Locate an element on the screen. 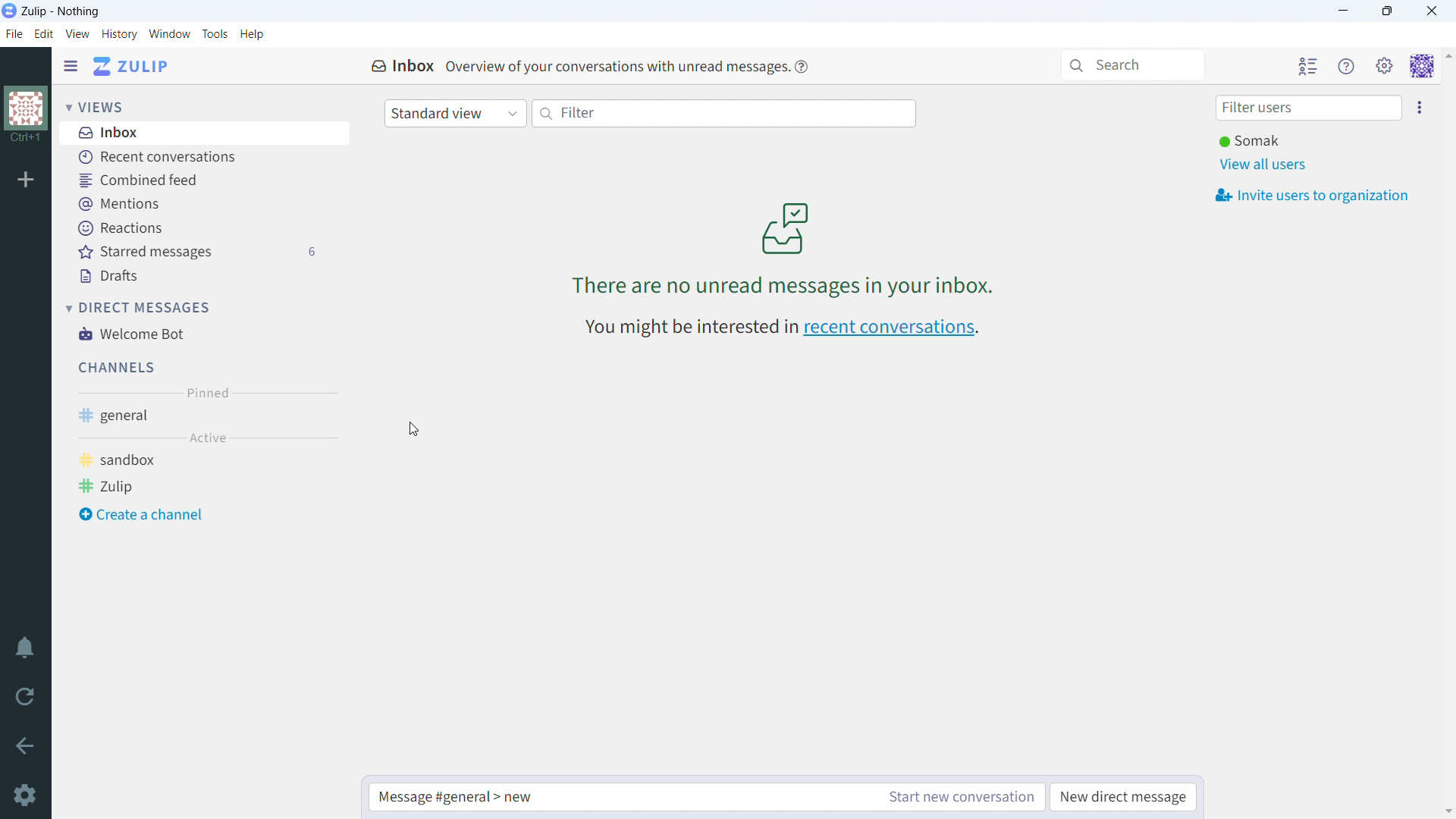 This screenshot has width=1456, height=819. starred messages is located at coordinates (196, 253).